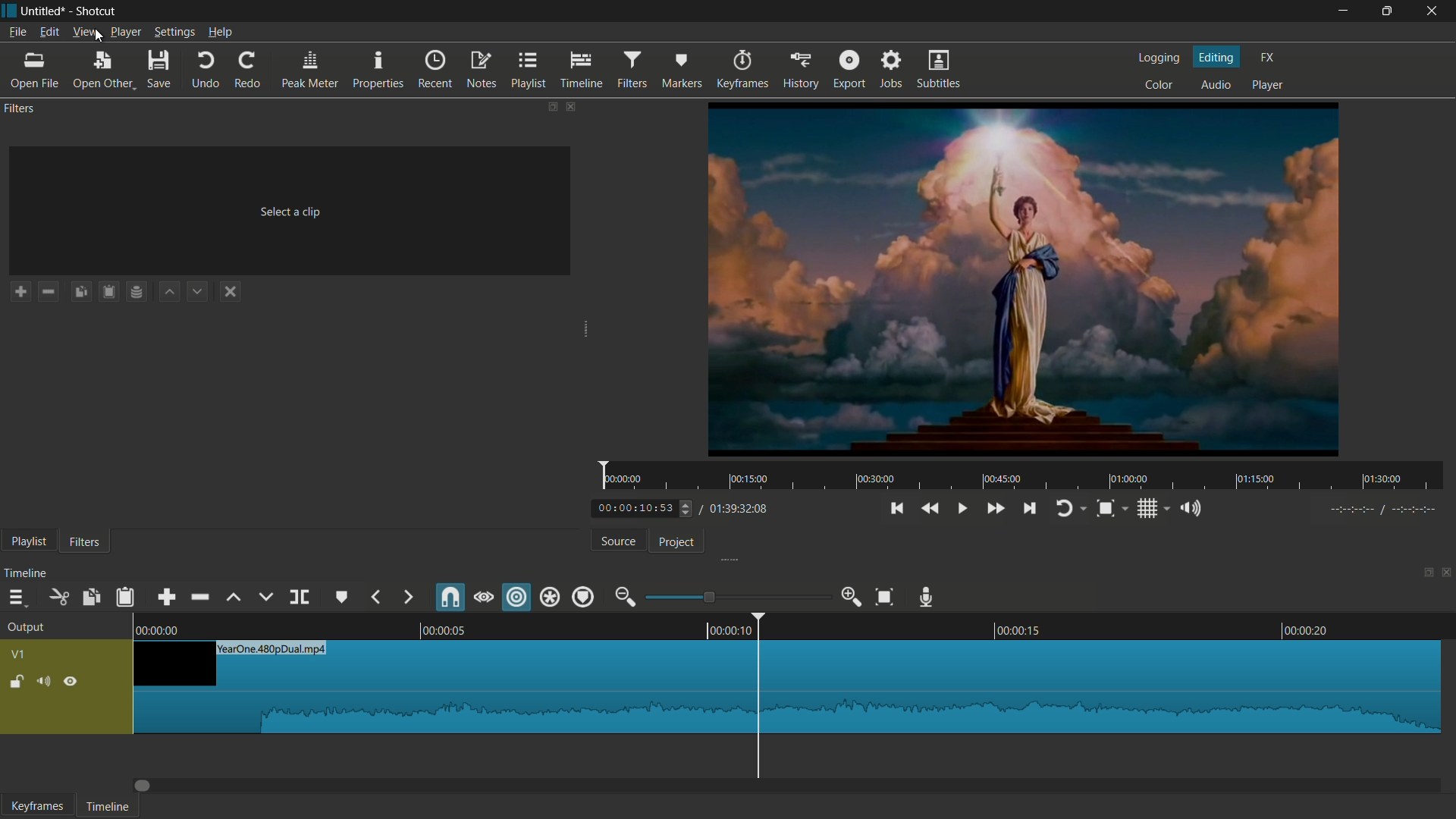 The height and width of the screenshot is (819, 1456). I want to click on change layout, so click(1423, 574).